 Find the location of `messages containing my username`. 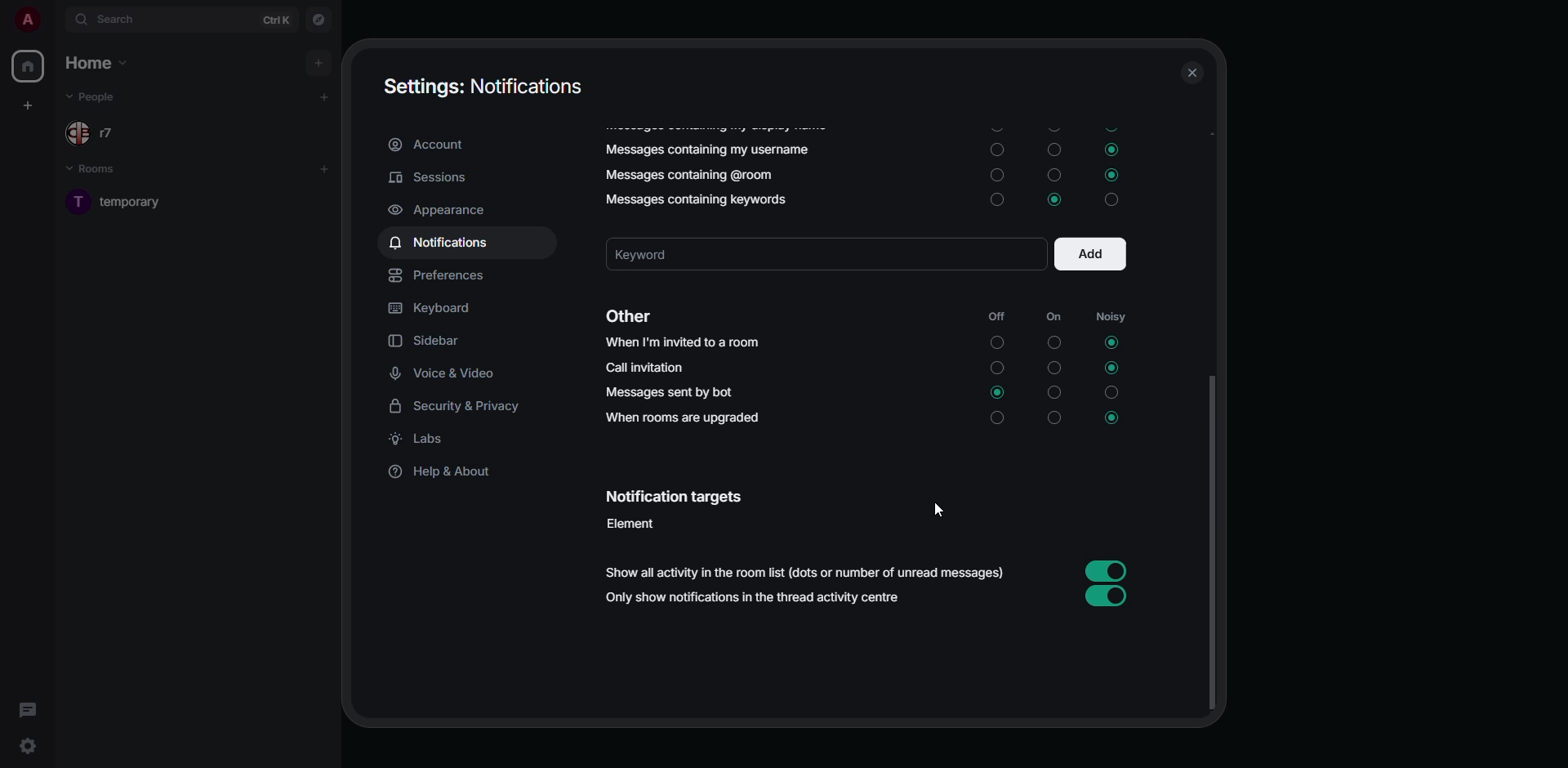

messages containing my username is located at coordinates (707, 150).